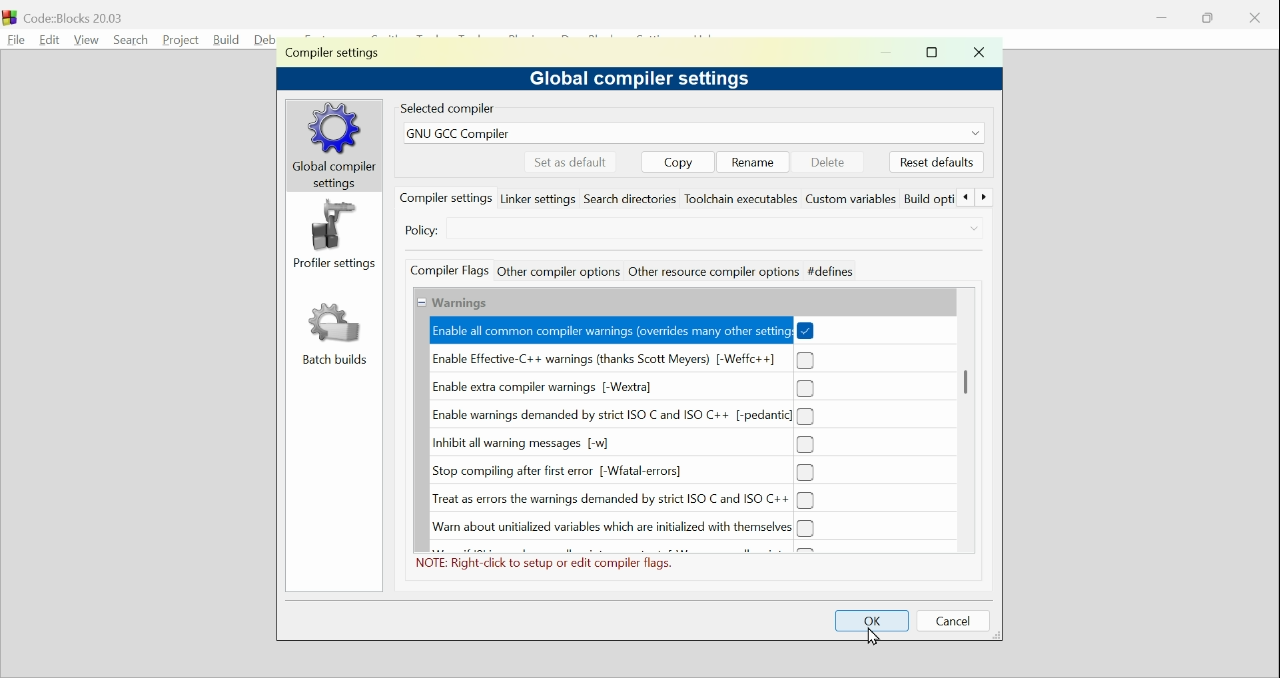 This screenshot has height=678, width=1280. I want to click on GNUGCC compiler, so click(692, 133).